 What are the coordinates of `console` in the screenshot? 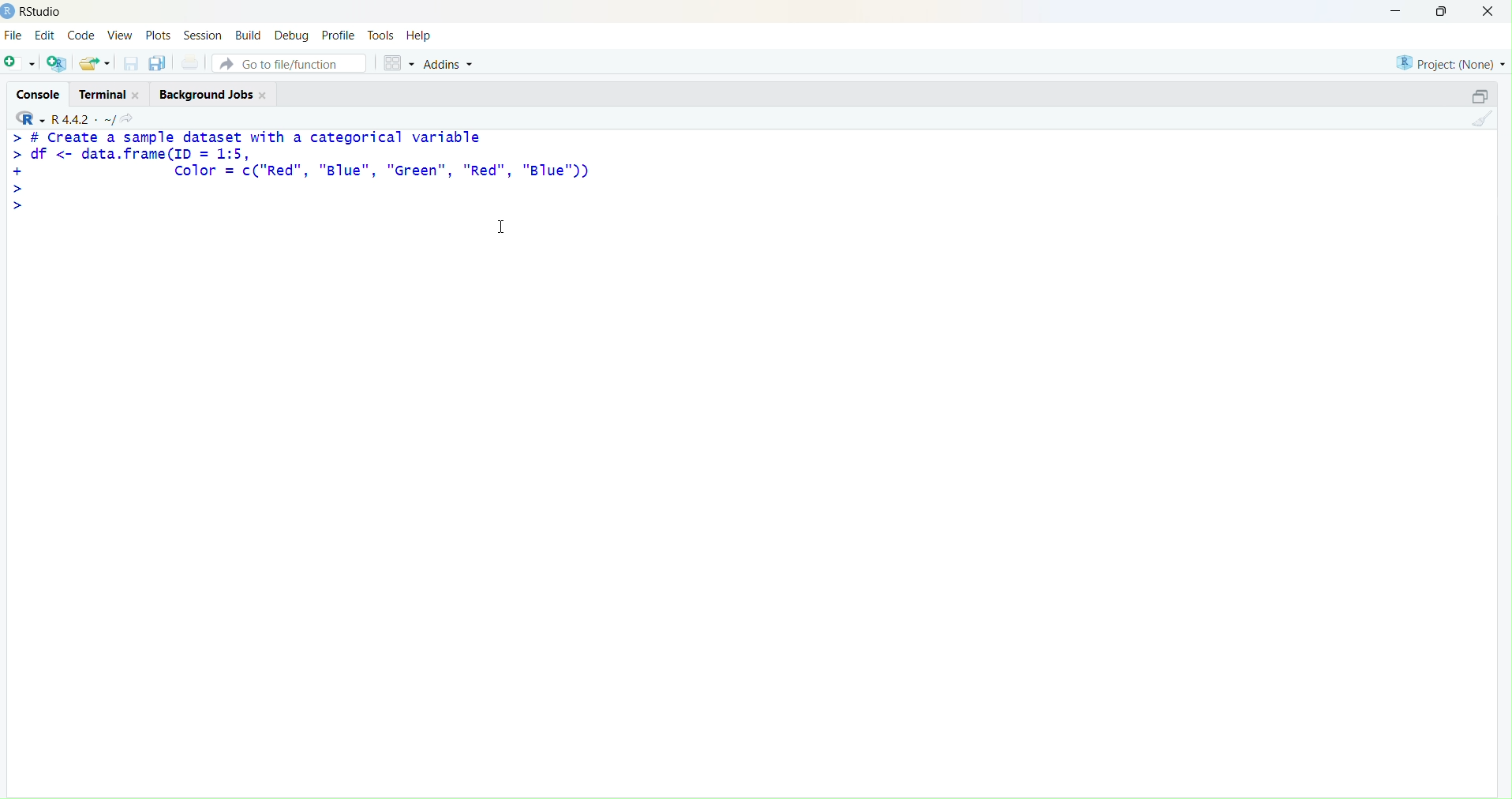 It's located at (40, 96).